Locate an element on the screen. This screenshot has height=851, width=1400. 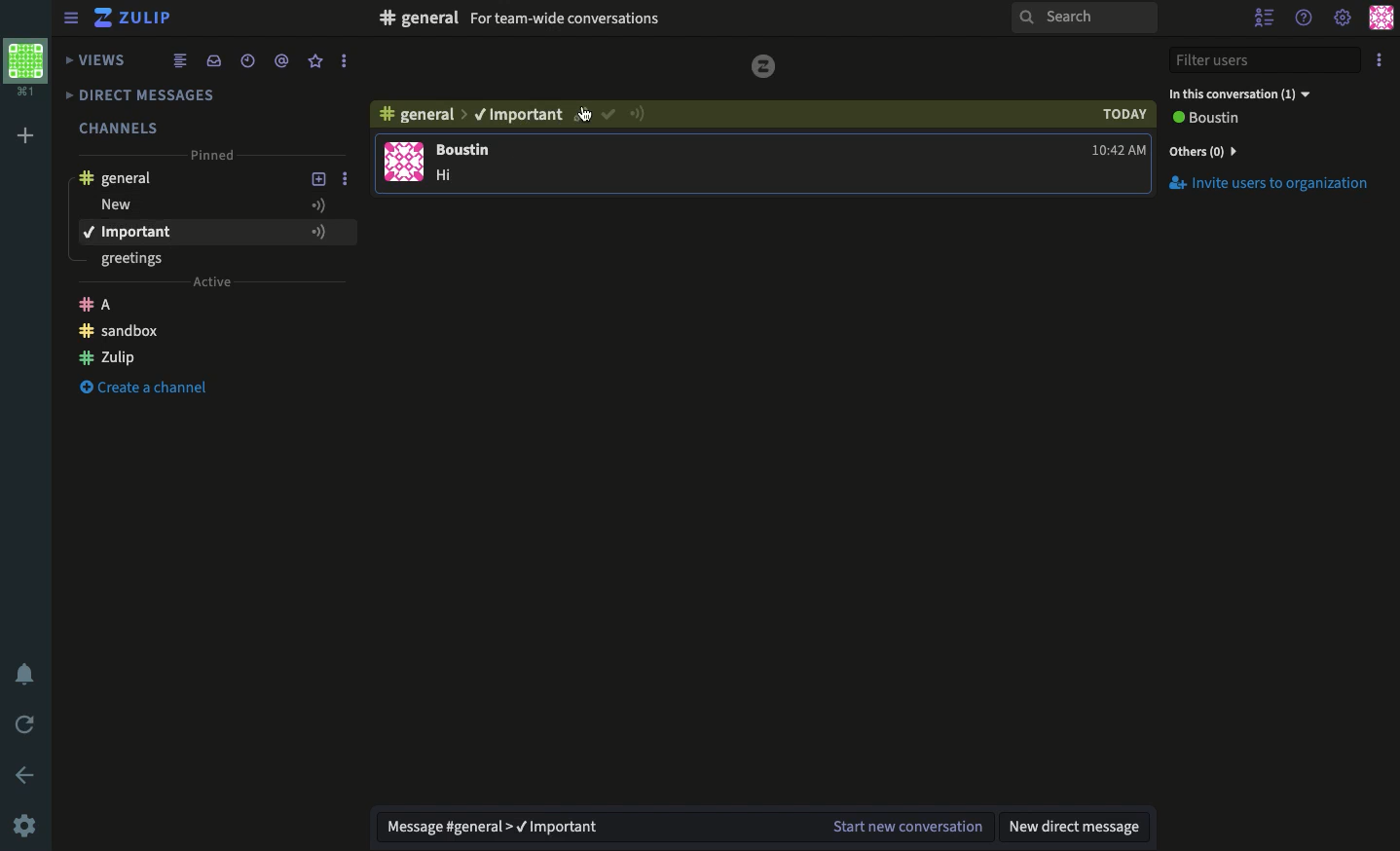
DMs is located at coordinates (153, 95).